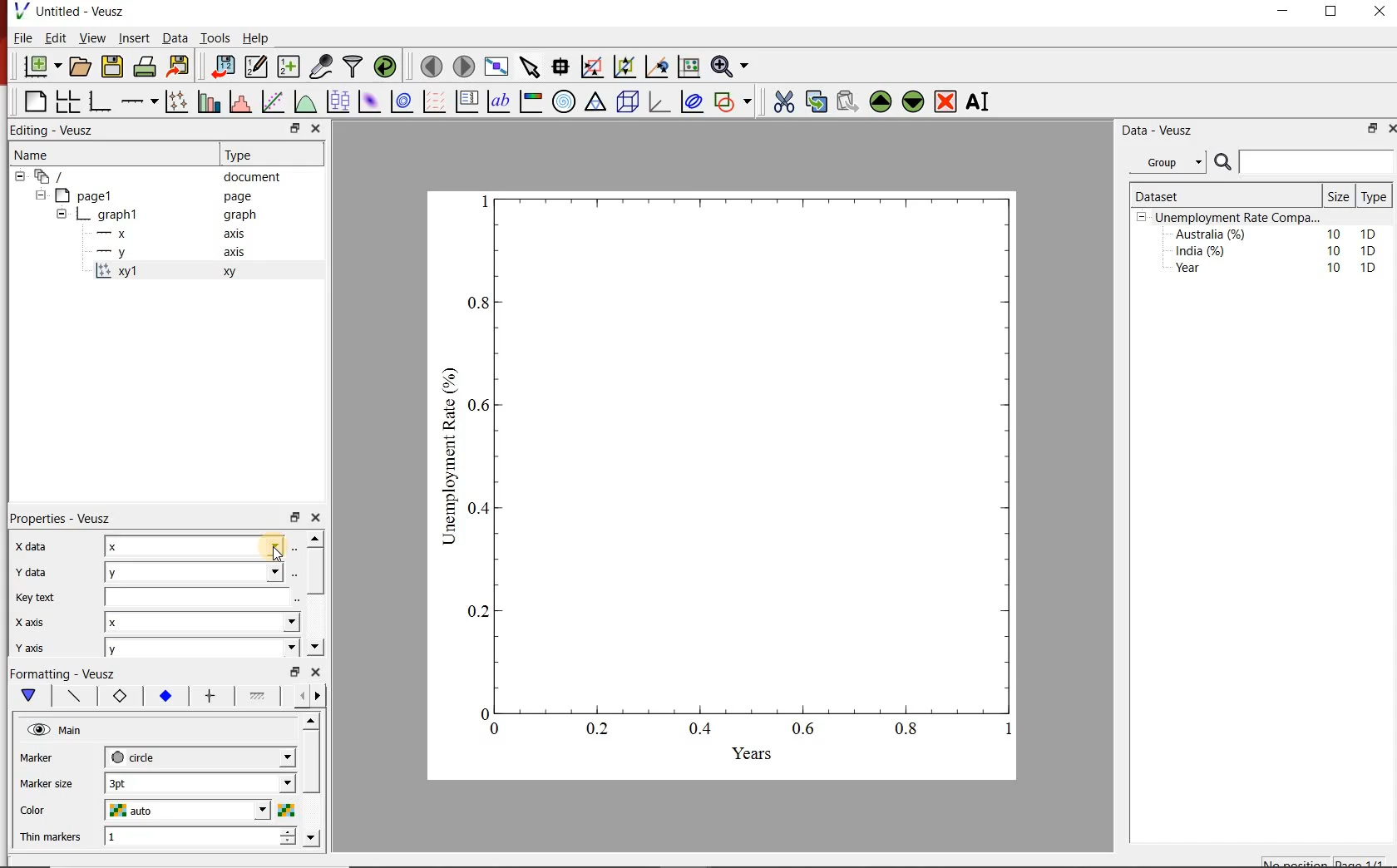 This screenshot has width=1397, height=868. What do you see at coordinates (197, 782) in the screenshot?
I see `1 pt` at bounding box center [197, 782].